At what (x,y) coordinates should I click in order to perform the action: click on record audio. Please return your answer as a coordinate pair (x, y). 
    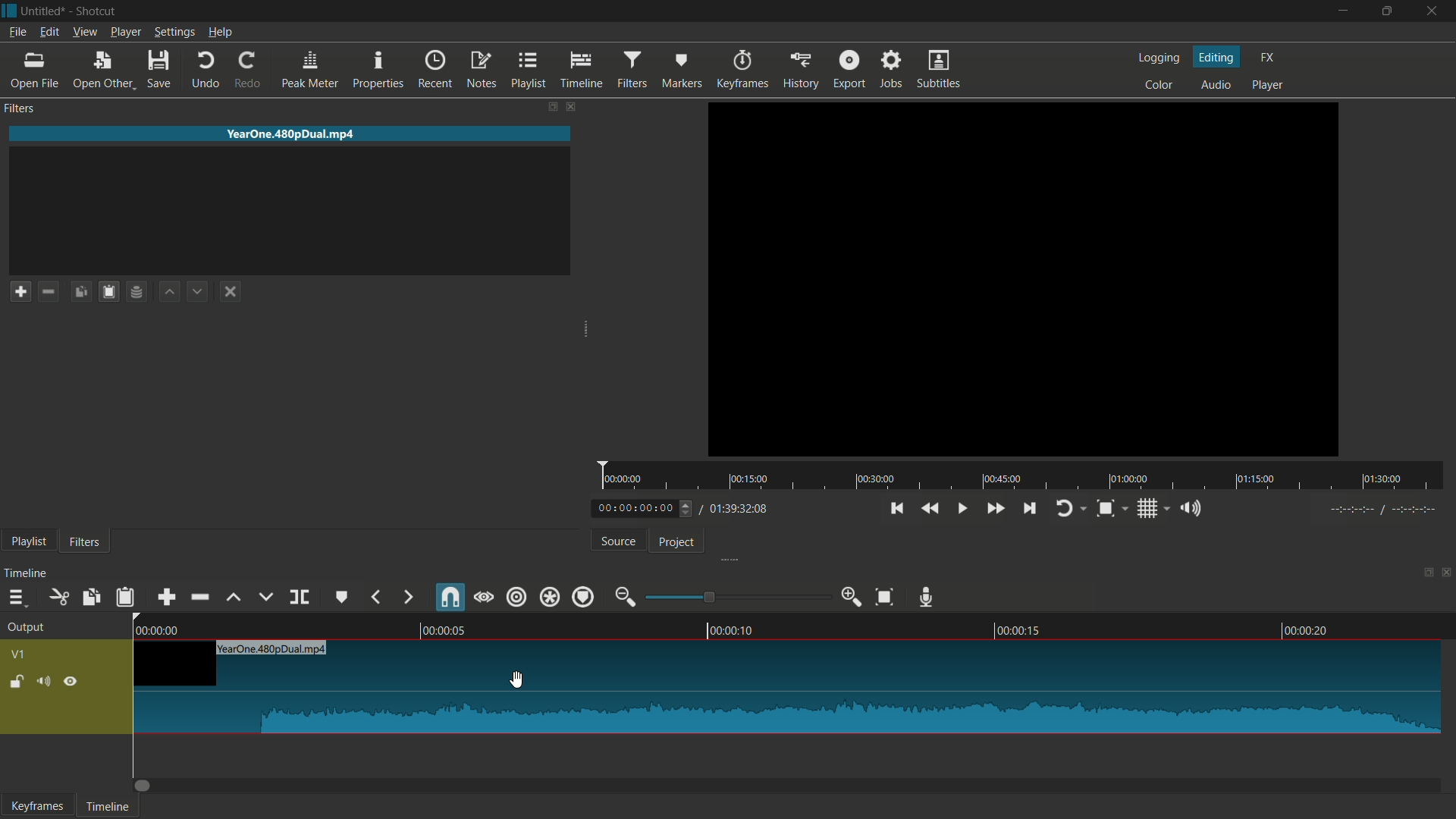
    Looking at the image, I should click on (927, 595).